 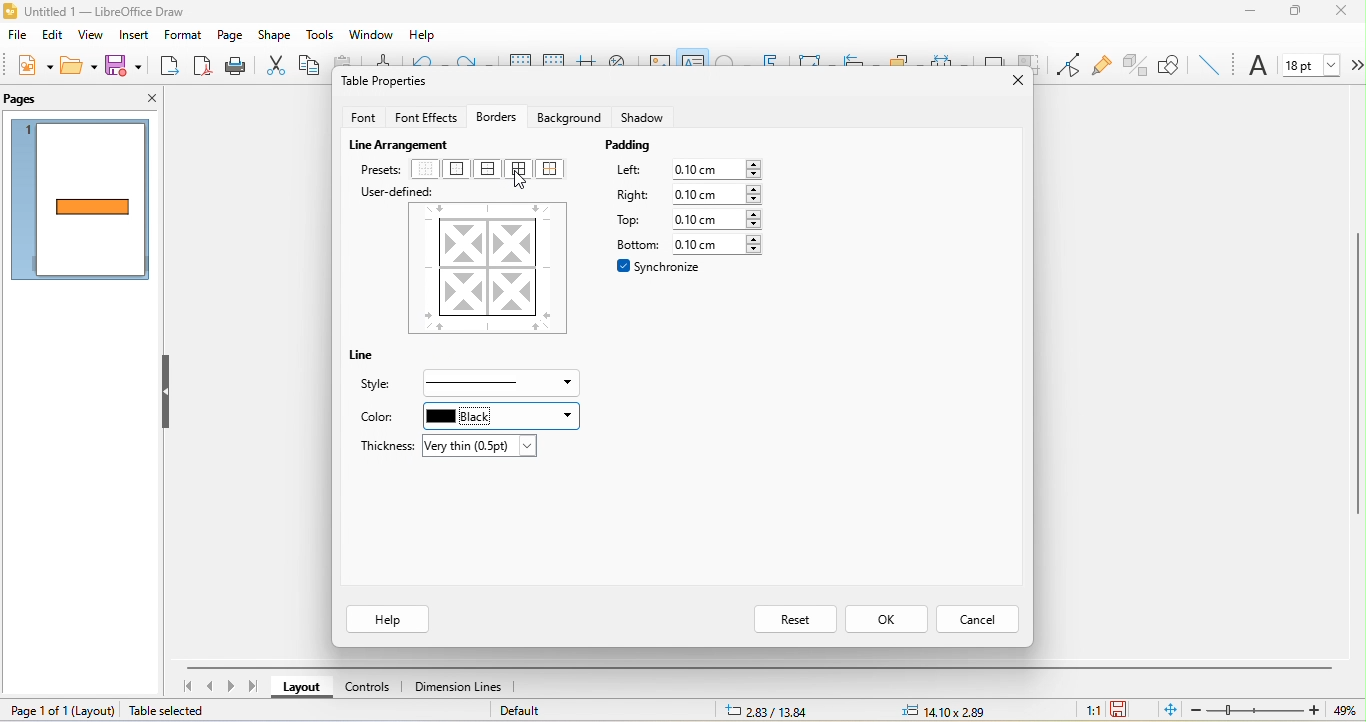 What do you see at coordinates (234, 687) in the screenshot?
I see `next page` at bounding box center [234, 687].